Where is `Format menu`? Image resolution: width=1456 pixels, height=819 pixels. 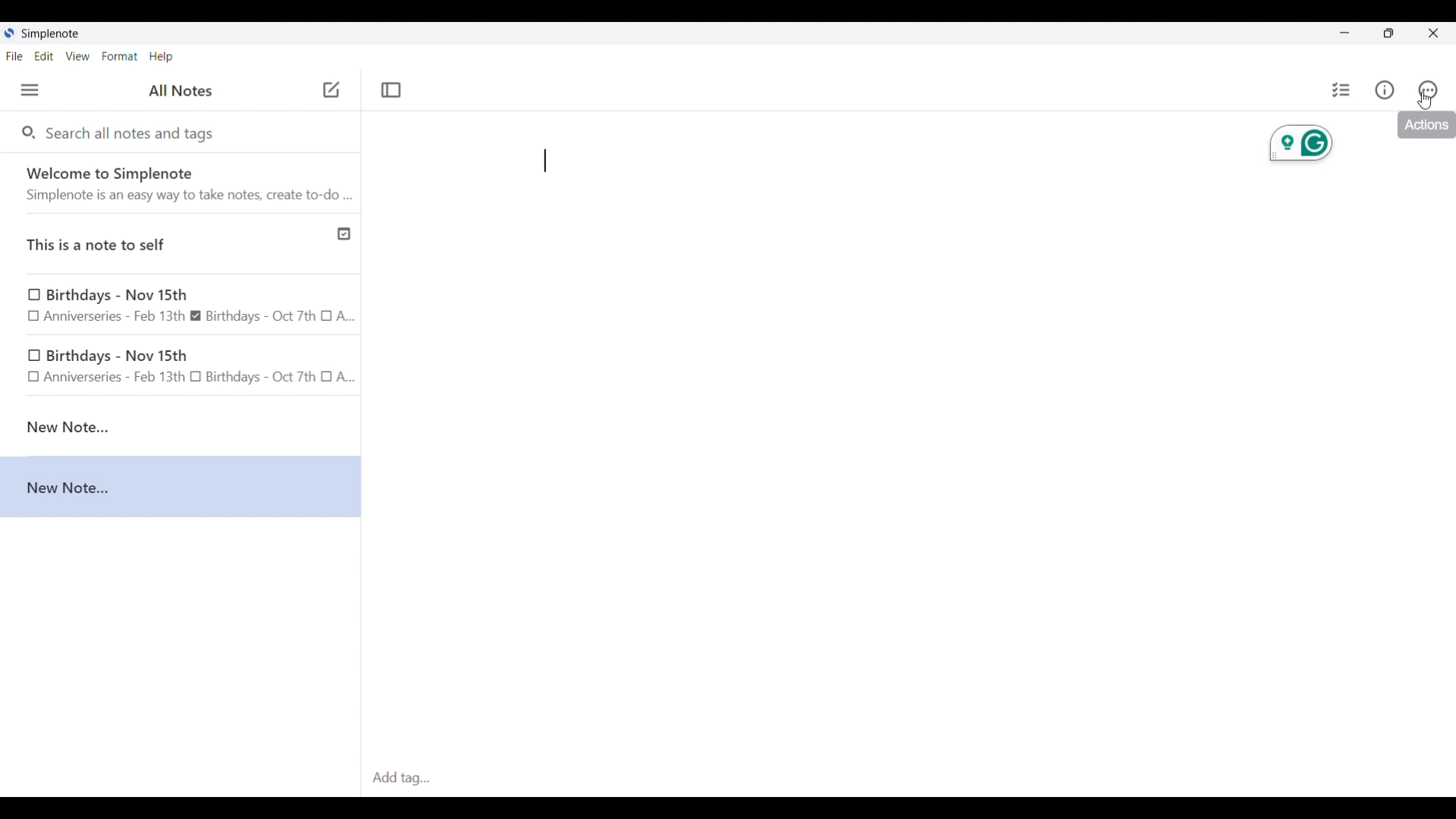
Format menu is located at coordinates (120, 56).